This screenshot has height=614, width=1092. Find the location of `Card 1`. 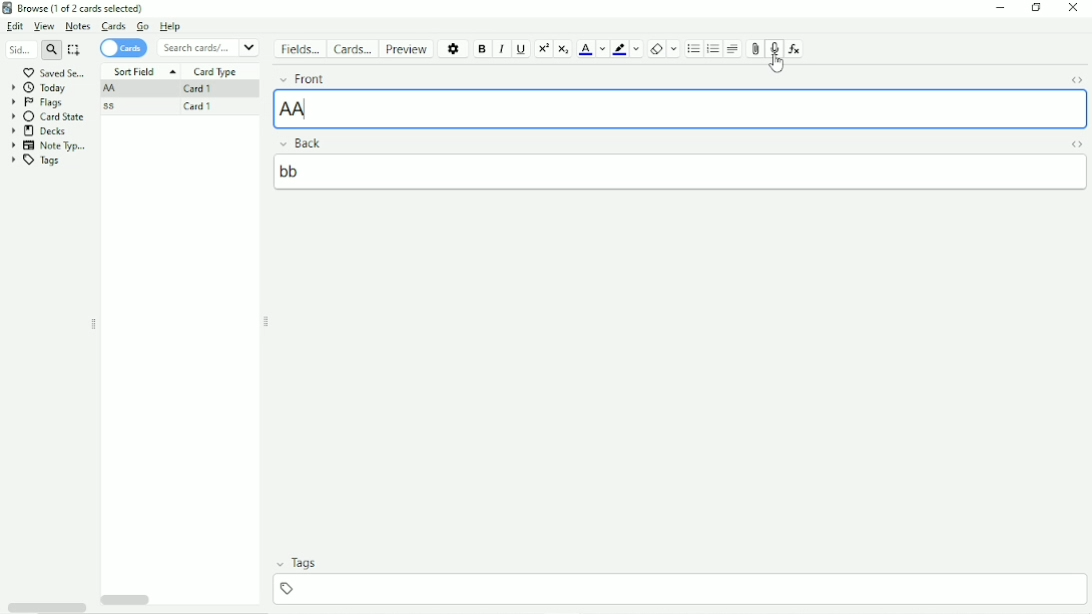

Card 1 is located at coordinates (198, 106).